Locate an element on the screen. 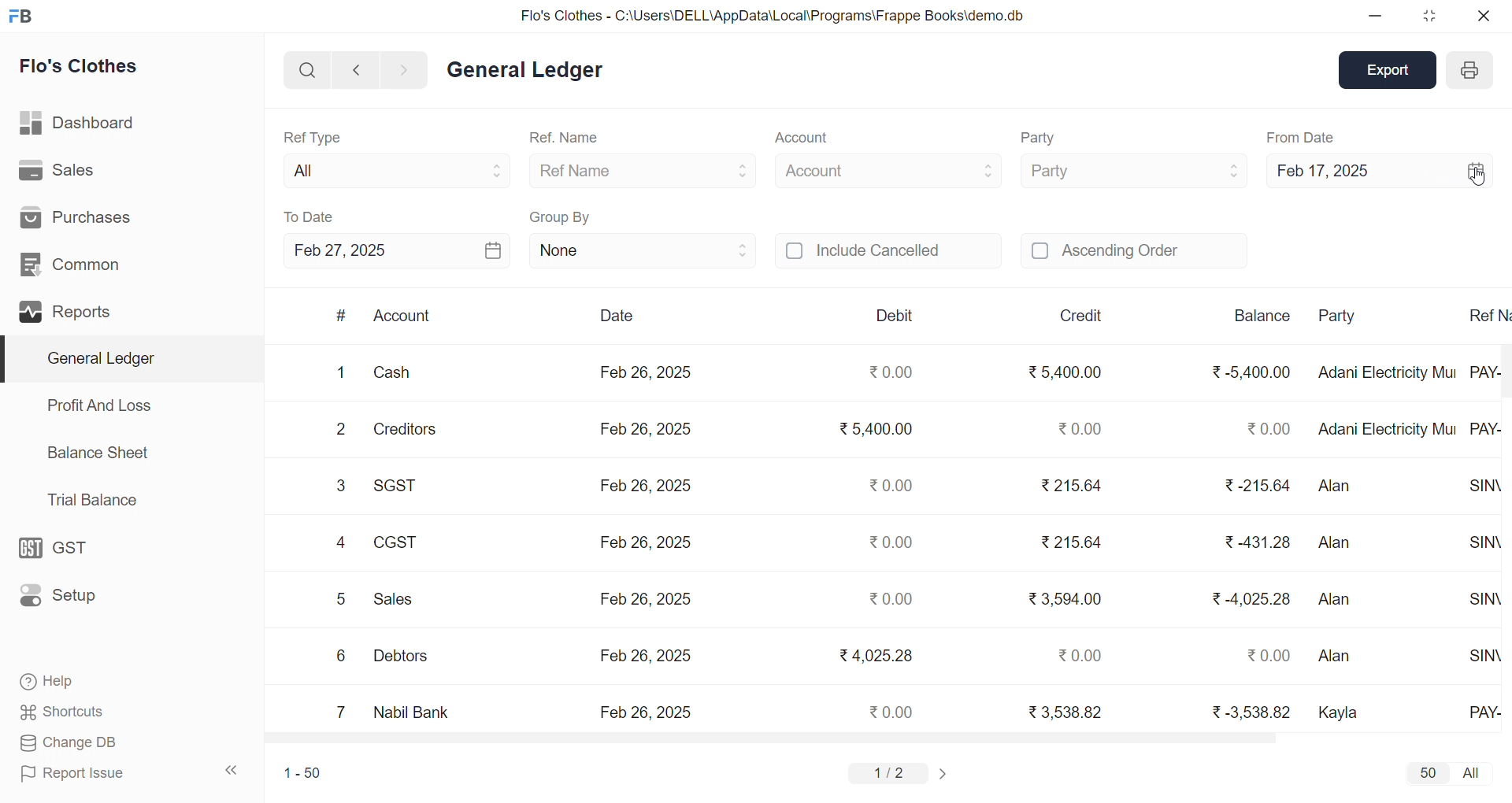 The image size is (1512, 803). ₹ 431.28 is located at coordinates (1256, 542).